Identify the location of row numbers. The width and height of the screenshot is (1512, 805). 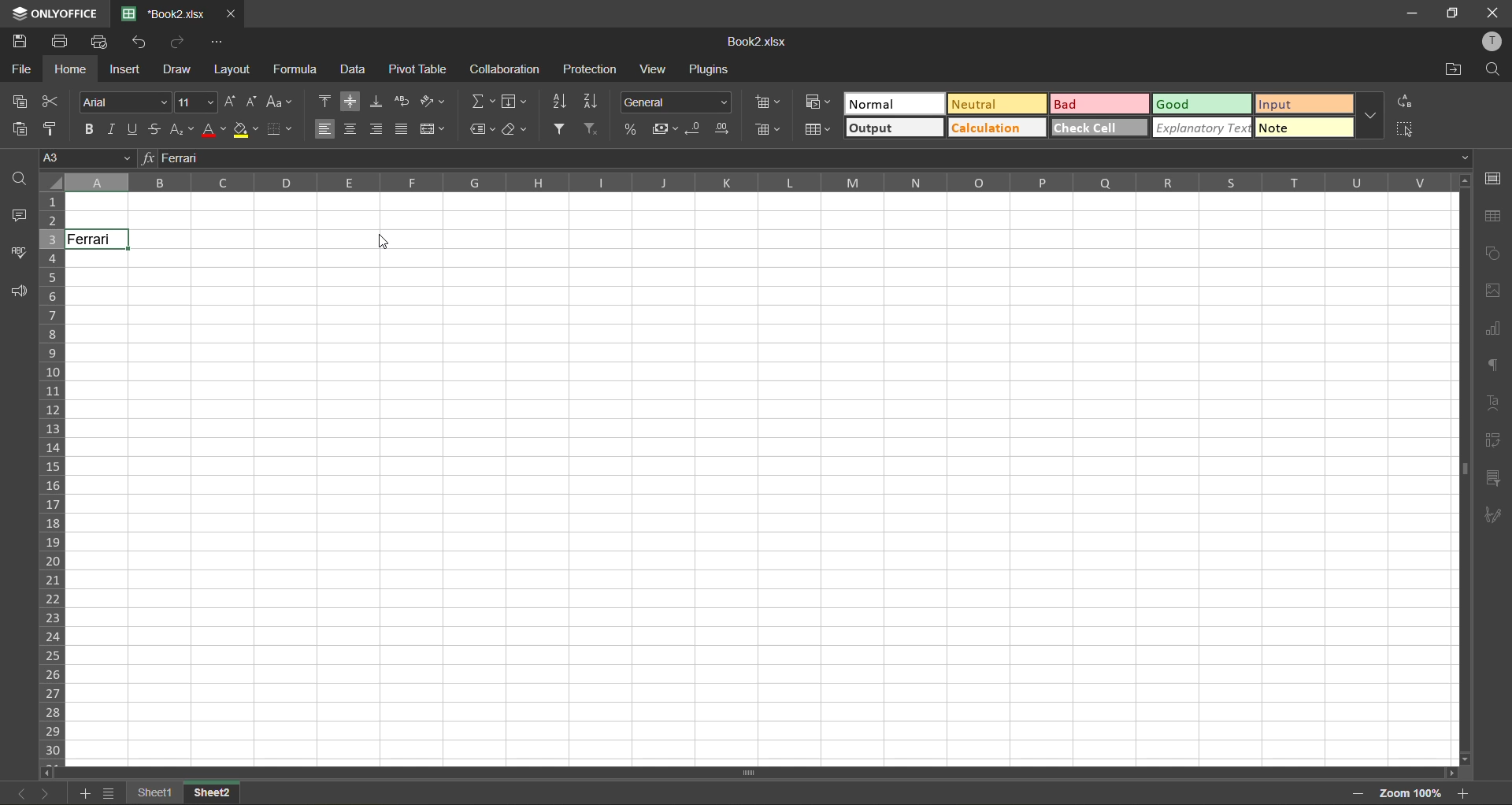
(52, 476).